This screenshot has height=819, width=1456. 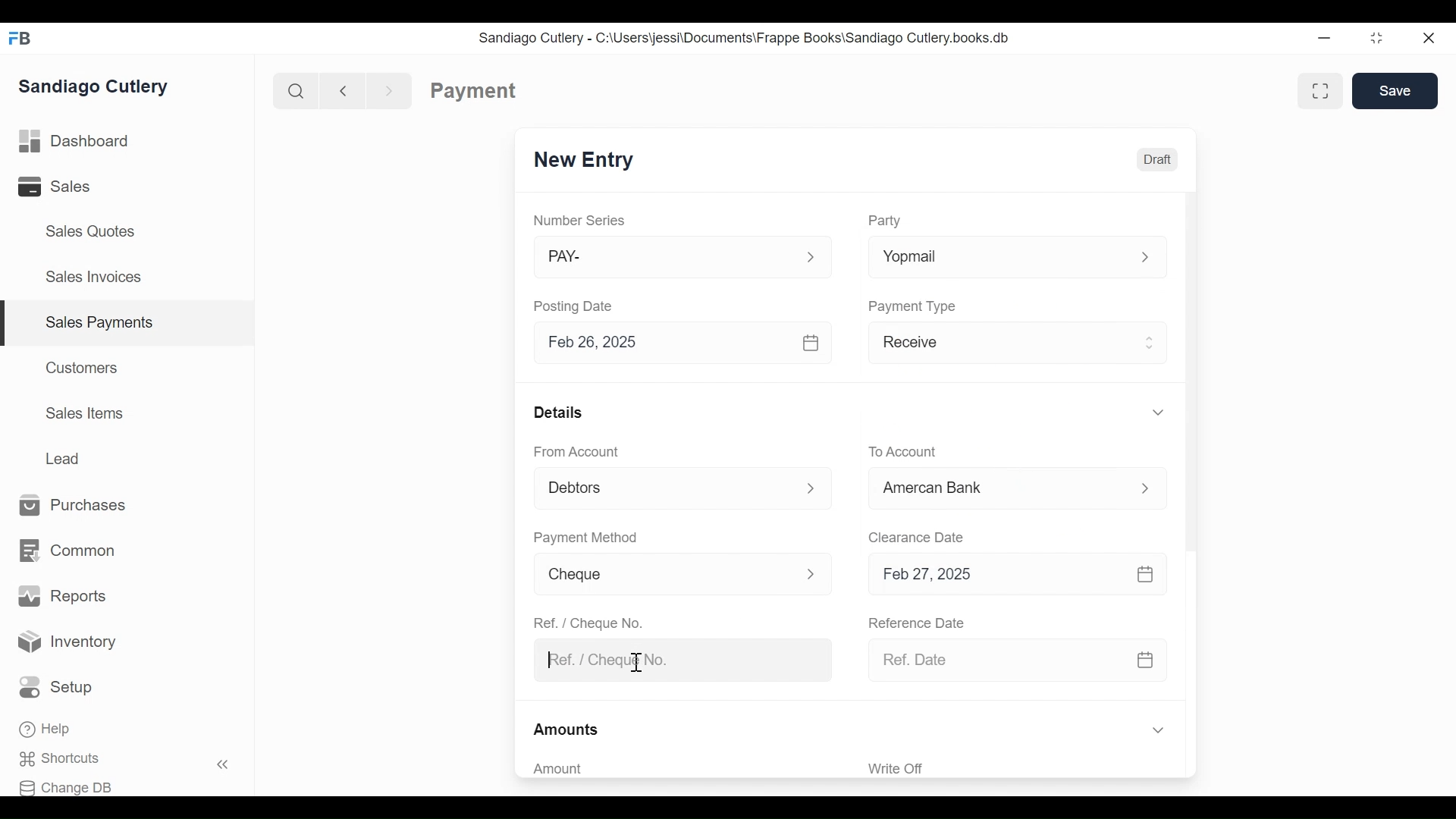 What do you see at coordinates (85, 413) in the screenshot?
I see `Sales Items` at bounding box center [85, 413].